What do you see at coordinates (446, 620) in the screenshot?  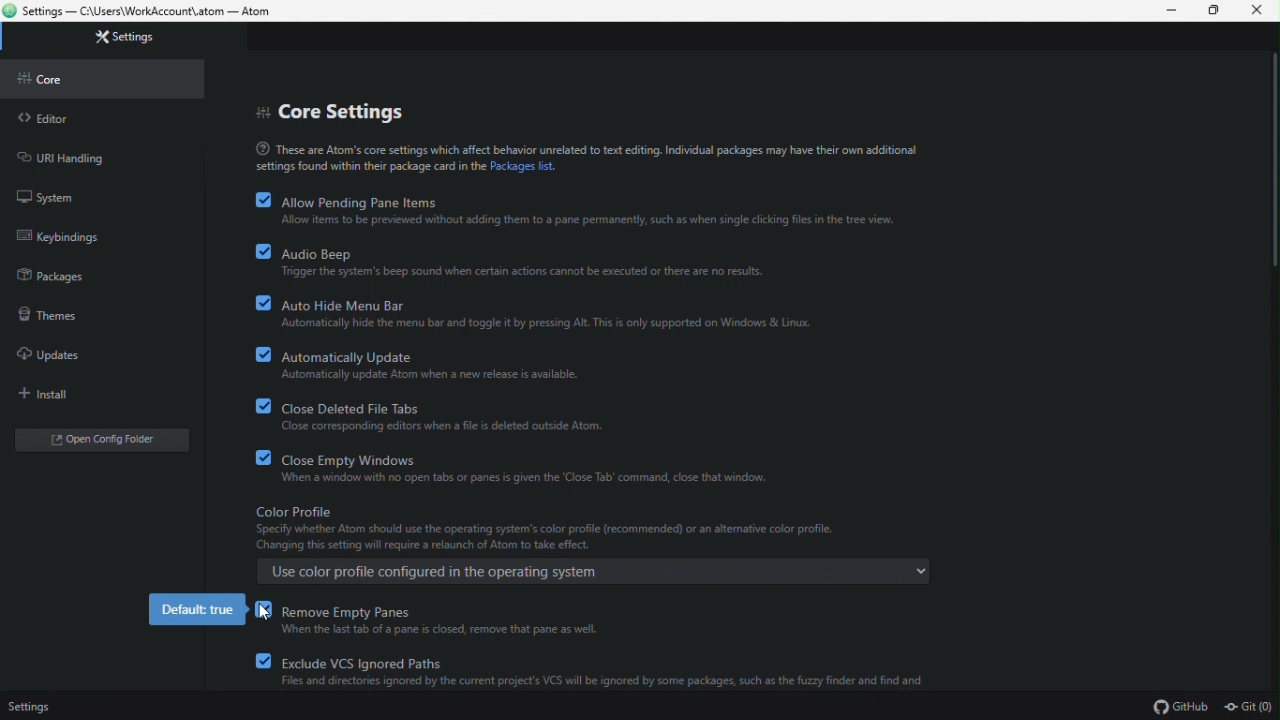 I see `remove empty panes(enabled)` at bounding box center [446, 620].